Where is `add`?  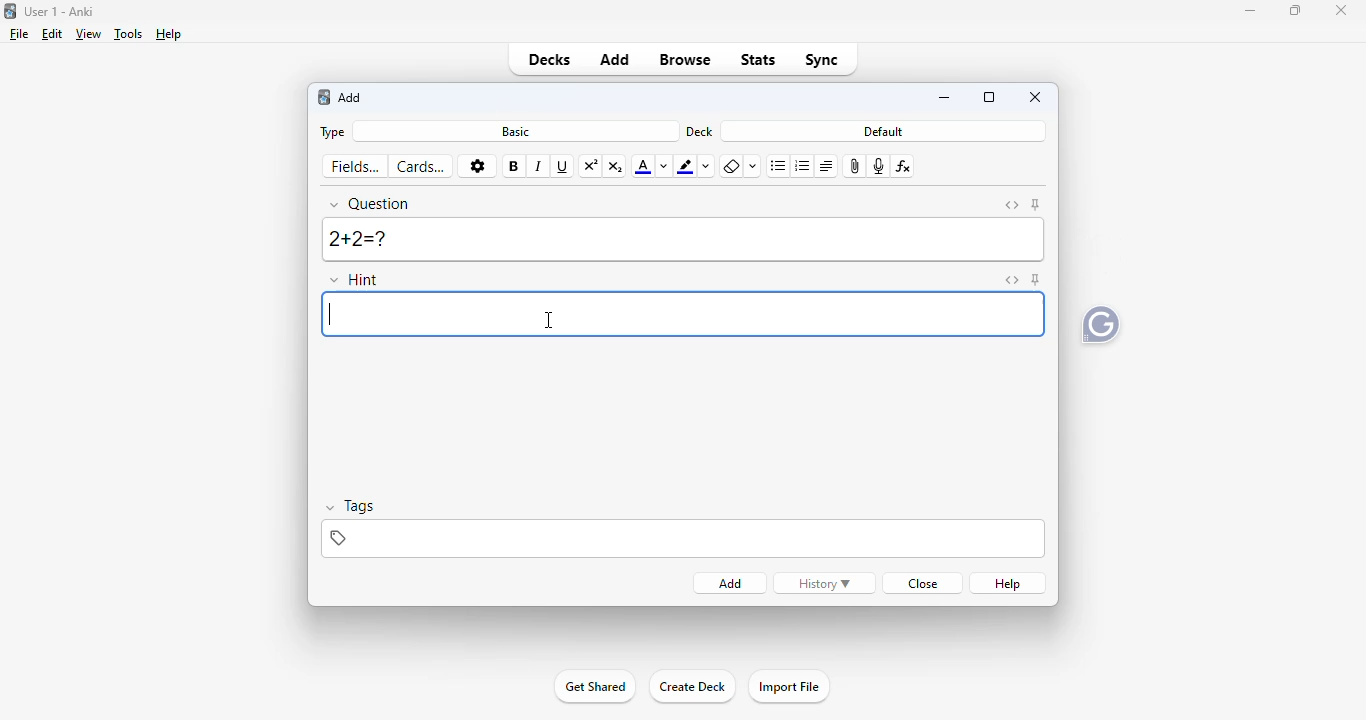
add is located at coordinates (349, 97).